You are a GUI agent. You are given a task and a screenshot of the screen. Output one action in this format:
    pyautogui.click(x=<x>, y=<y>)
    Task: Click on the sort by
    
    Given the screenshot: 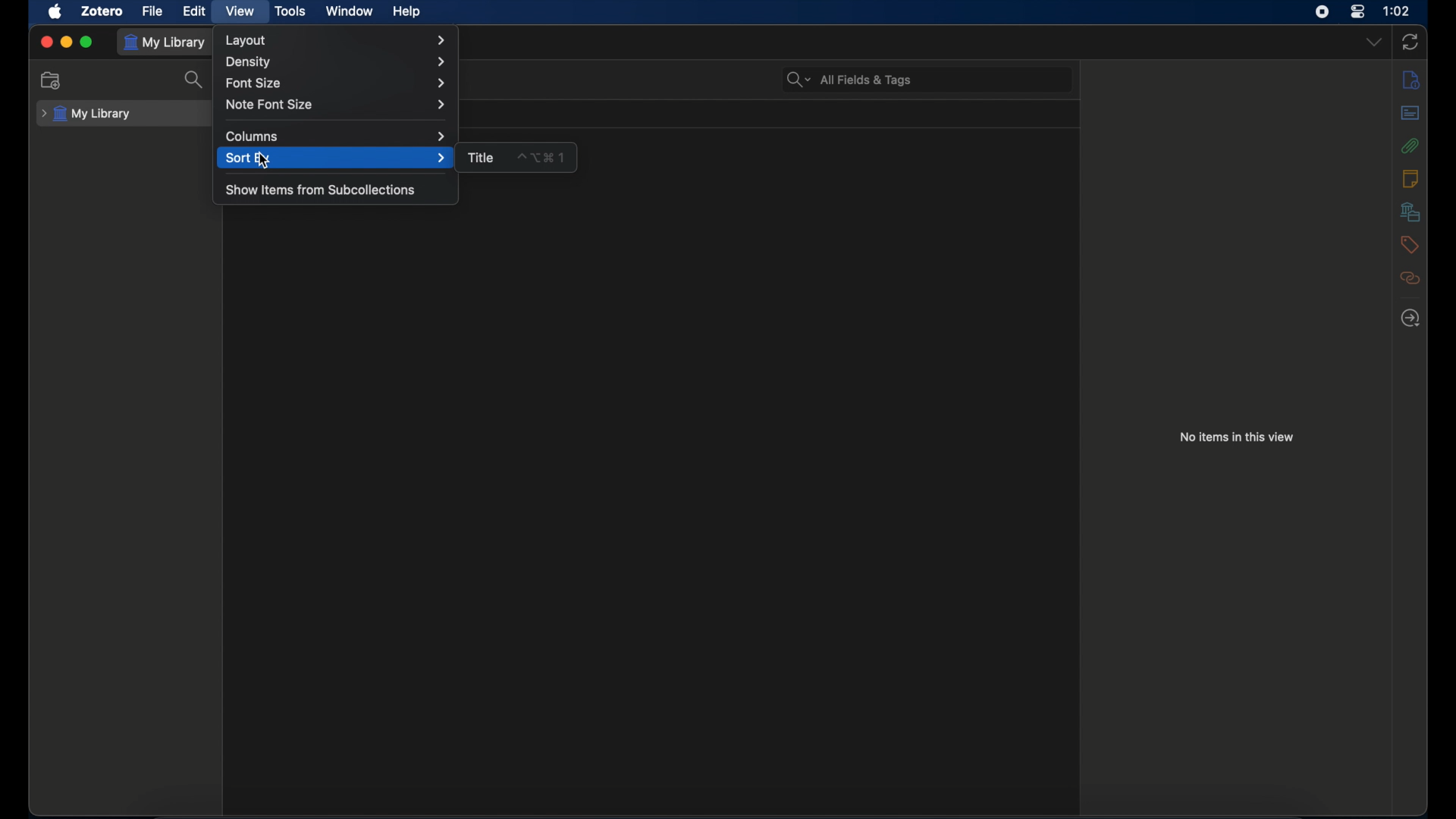 What is the action you would take?
    pyautogui.click(x=336, y=158)
    